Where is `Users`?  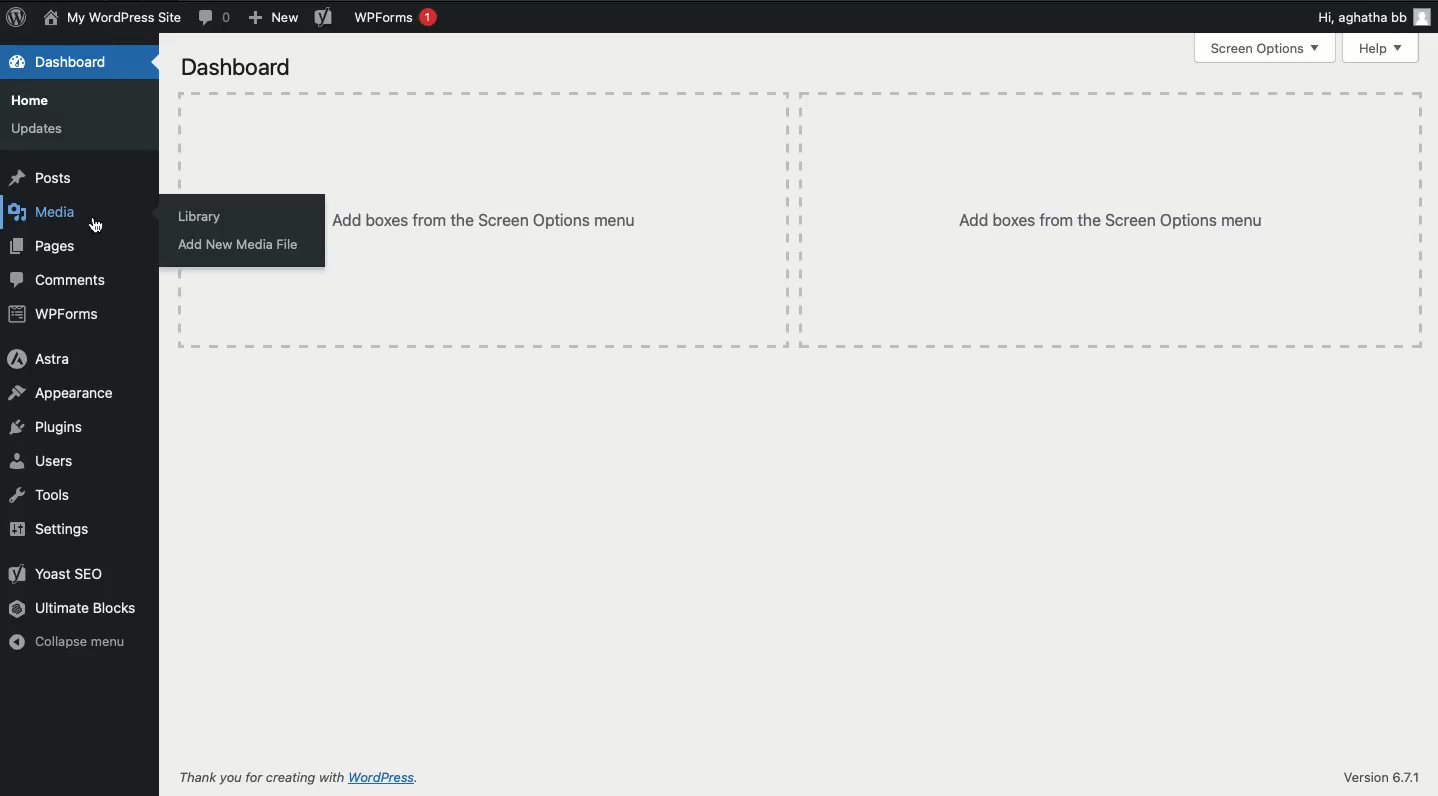
Users is located at coordinates (48, 459).